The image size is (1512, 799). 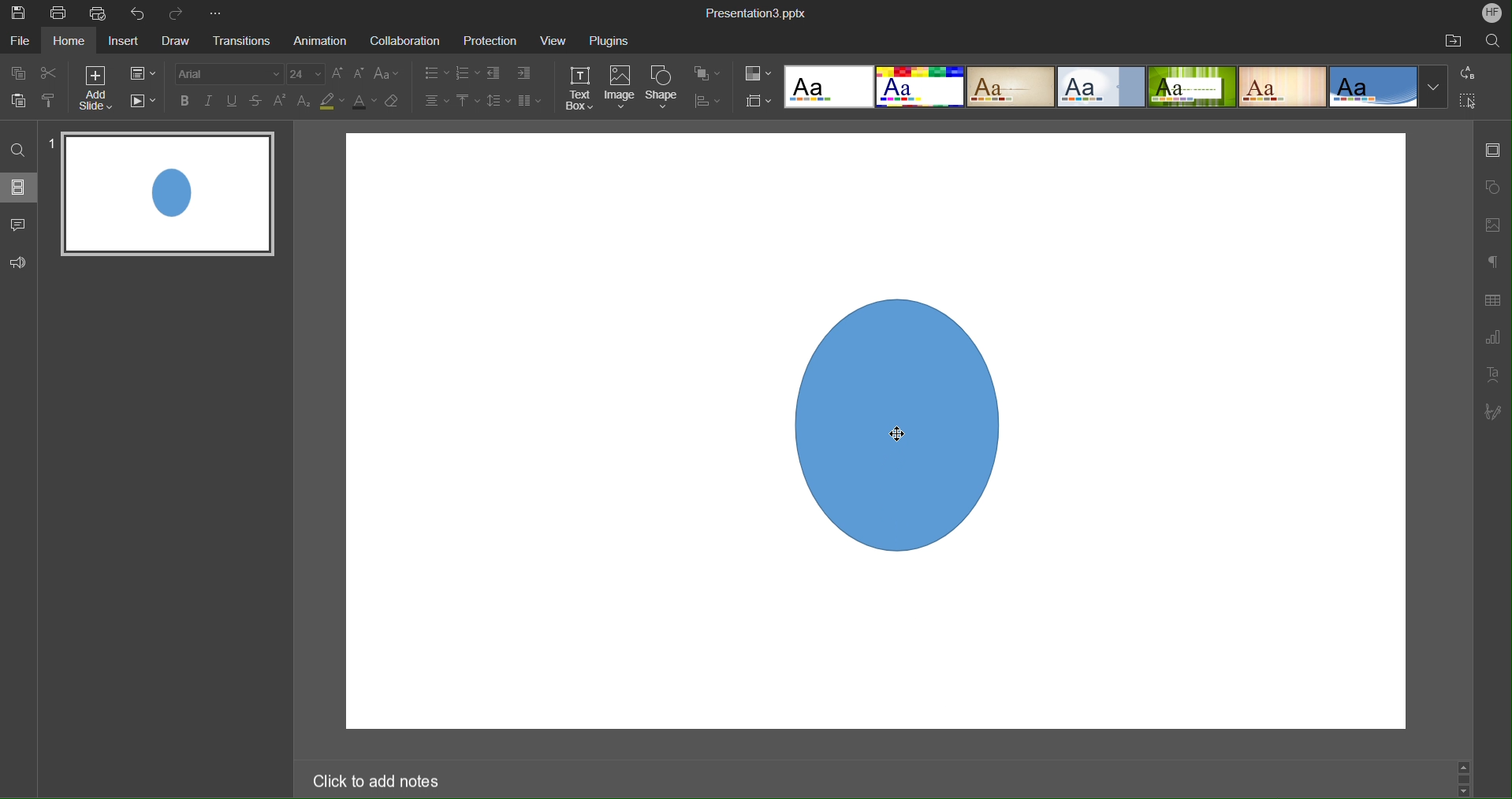 I want to click on Vertical Align, so click(x=467, y=102).